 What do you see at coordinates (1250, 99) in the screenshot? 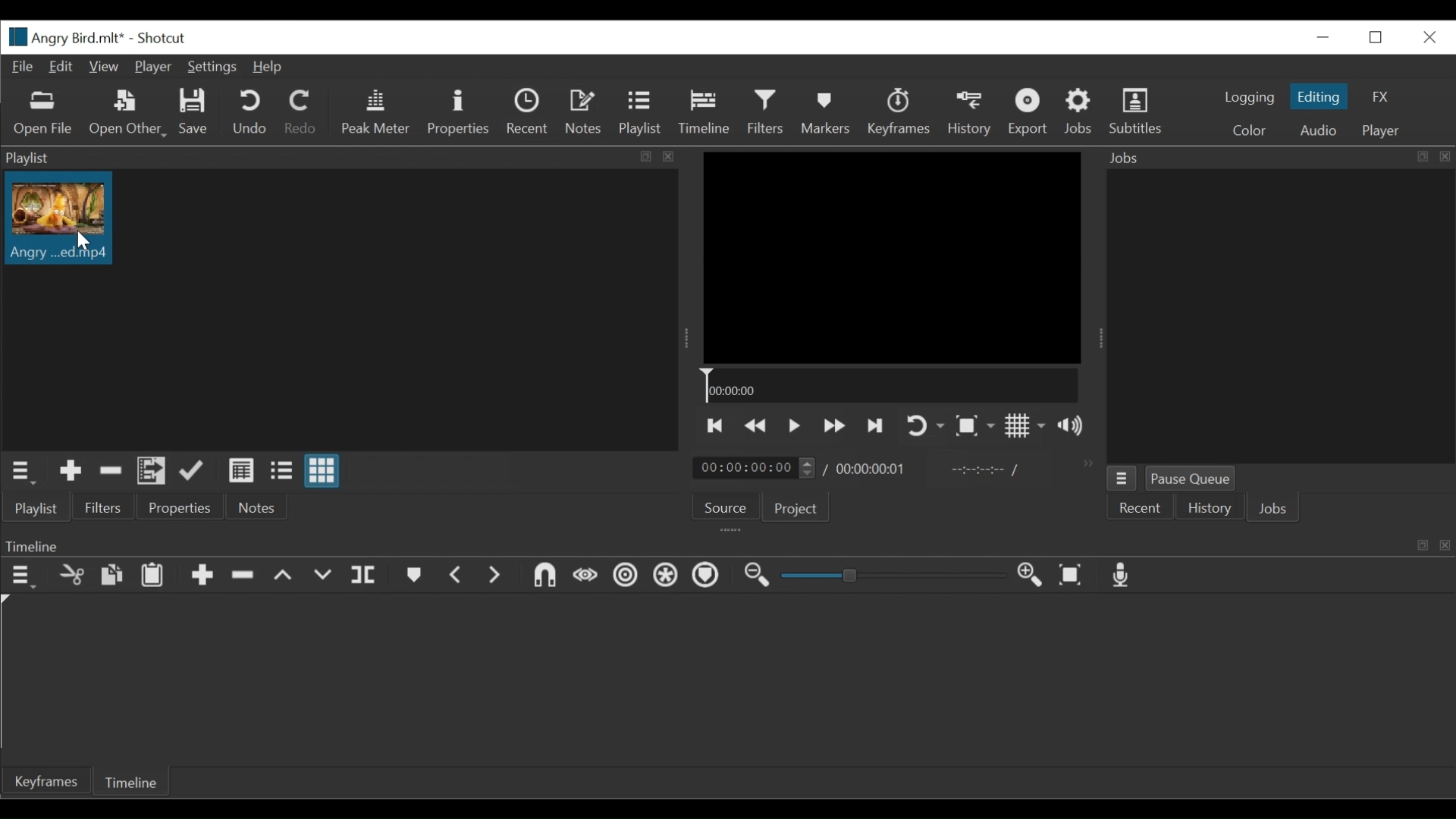
I see `` at bounding box center [1250, 99].